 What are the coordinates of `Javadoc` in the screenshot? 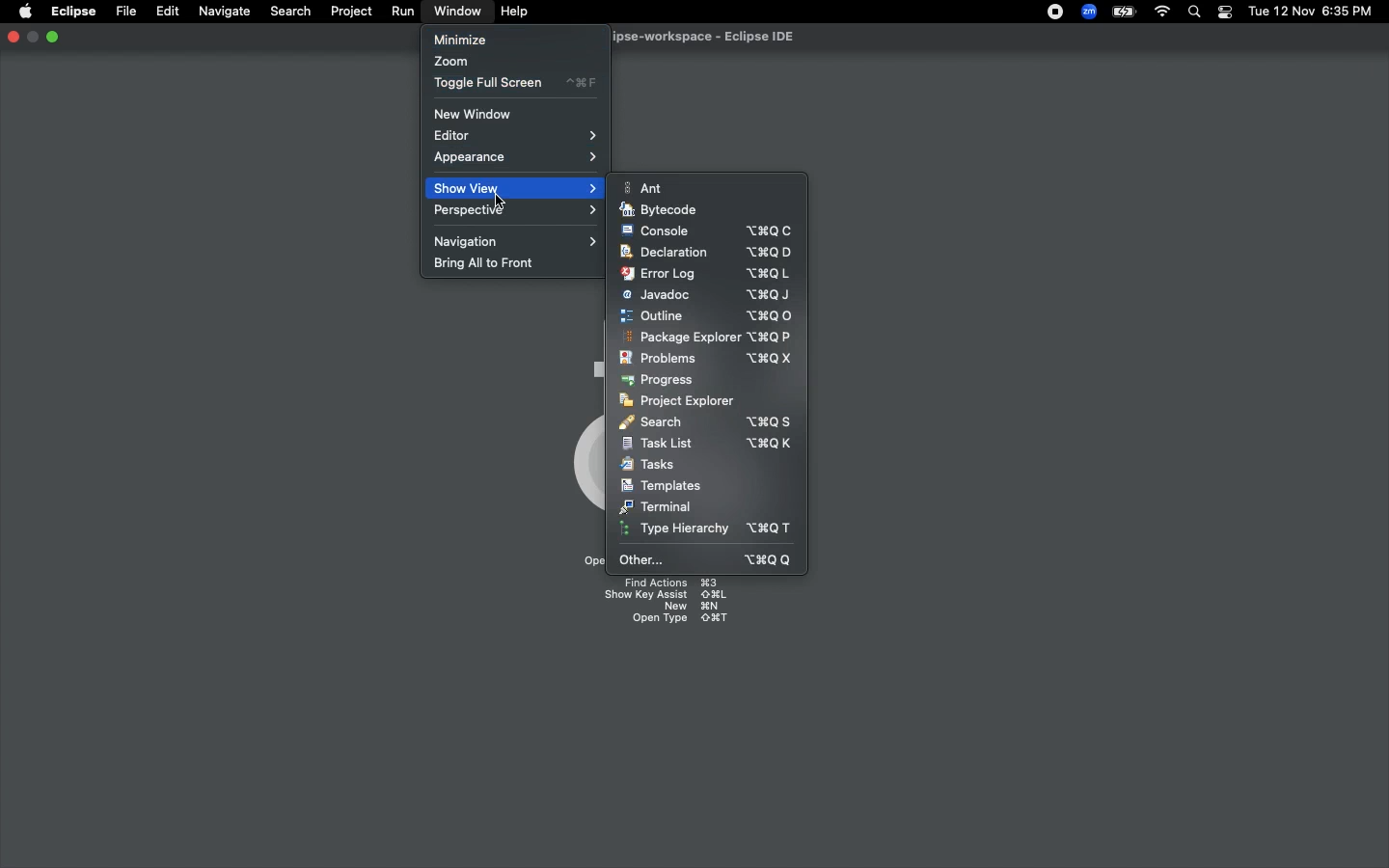 It's located at (706, 295).